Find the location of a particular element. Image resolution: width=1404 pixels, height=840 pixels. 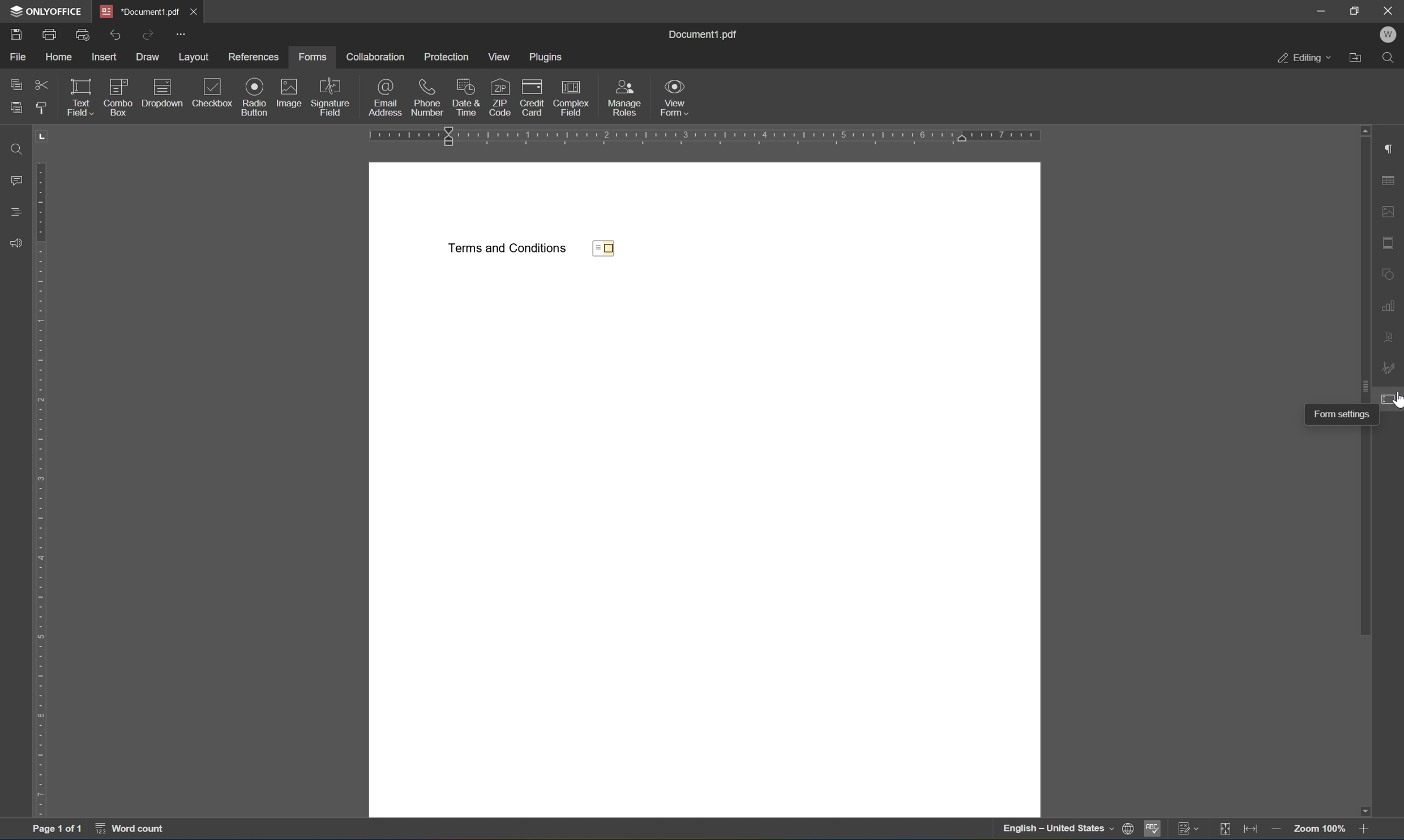

icon is located at coordinates (1131, 826).